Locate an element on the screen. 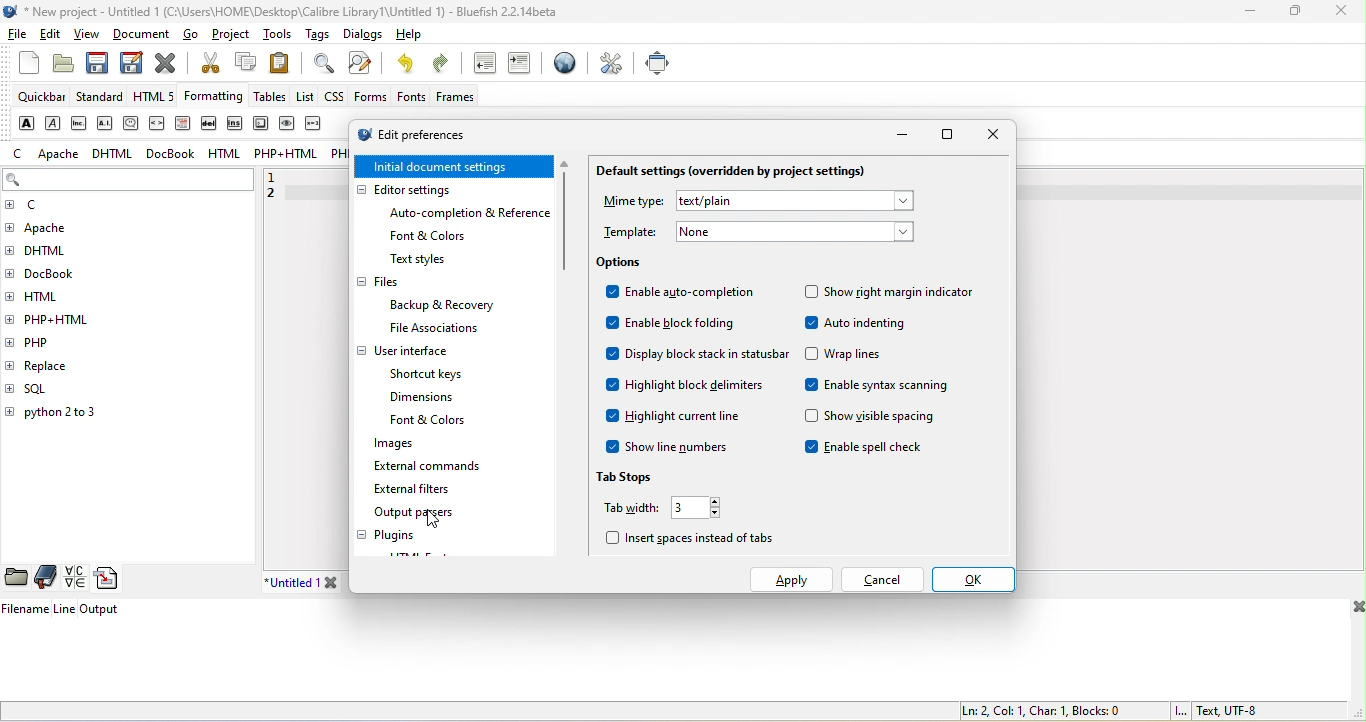 This screenshot has width=1366, height=722. code is located at coordinates (158, 125).